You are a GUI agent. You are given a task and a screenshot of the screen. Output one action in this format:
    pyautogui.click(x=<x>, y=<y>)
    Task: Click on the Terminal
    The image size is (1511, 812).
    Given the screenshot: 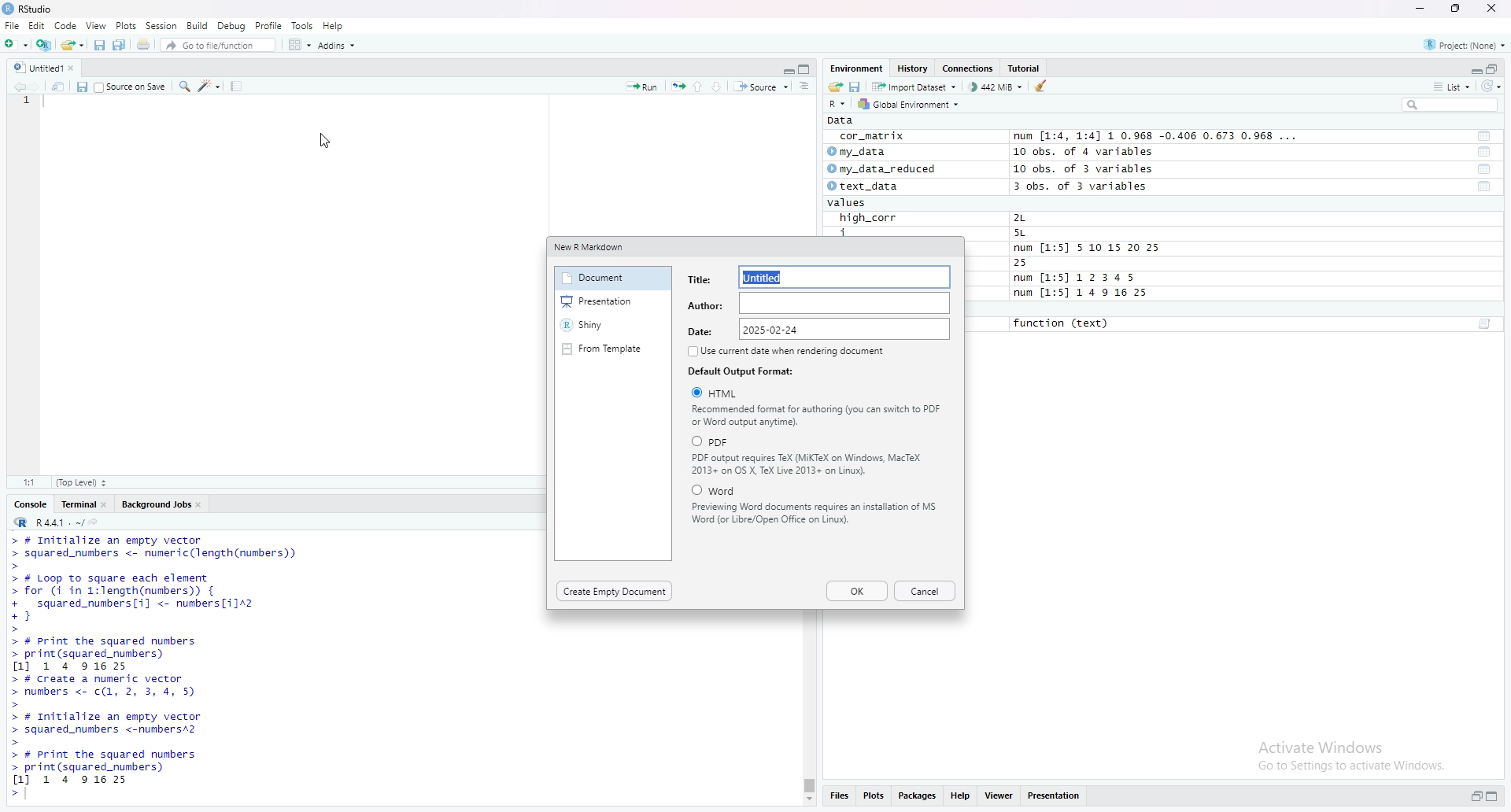 What is the action you would take?
    pyautogui.click(x=76, y=507)
    